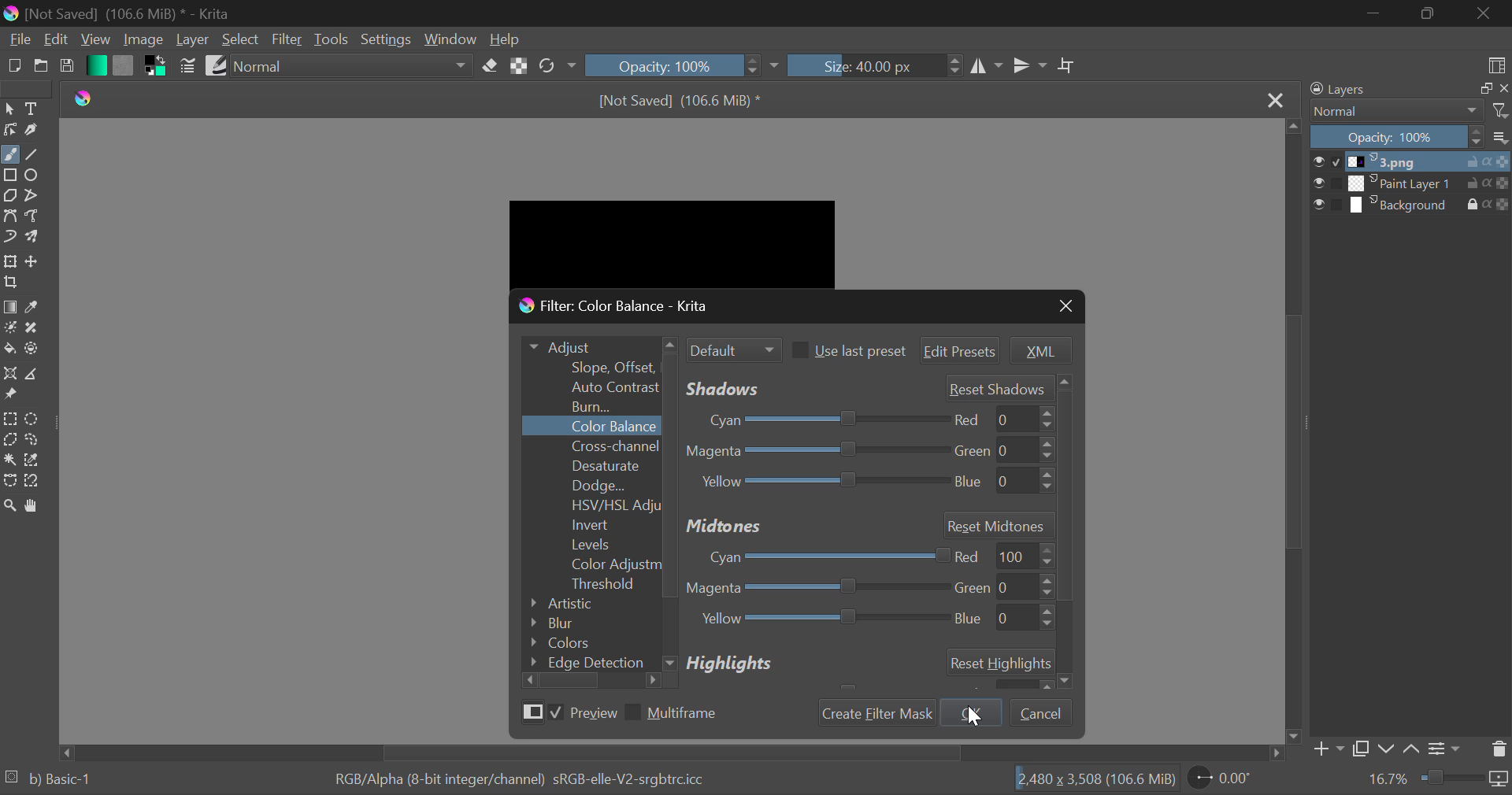 The image size is (1512, 795). I want to click on Delete Layer, so click(1499, 749).